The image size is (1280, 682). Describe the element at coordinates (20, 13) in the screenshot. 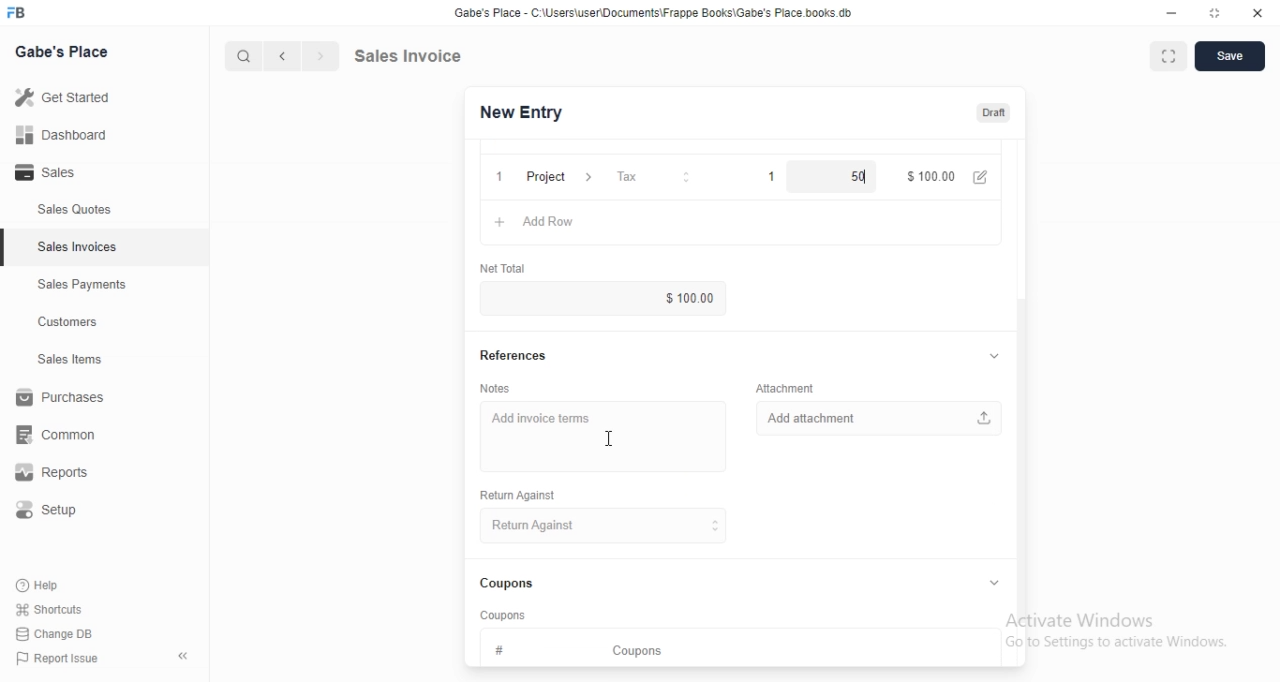

I see `FB logo` at that location.